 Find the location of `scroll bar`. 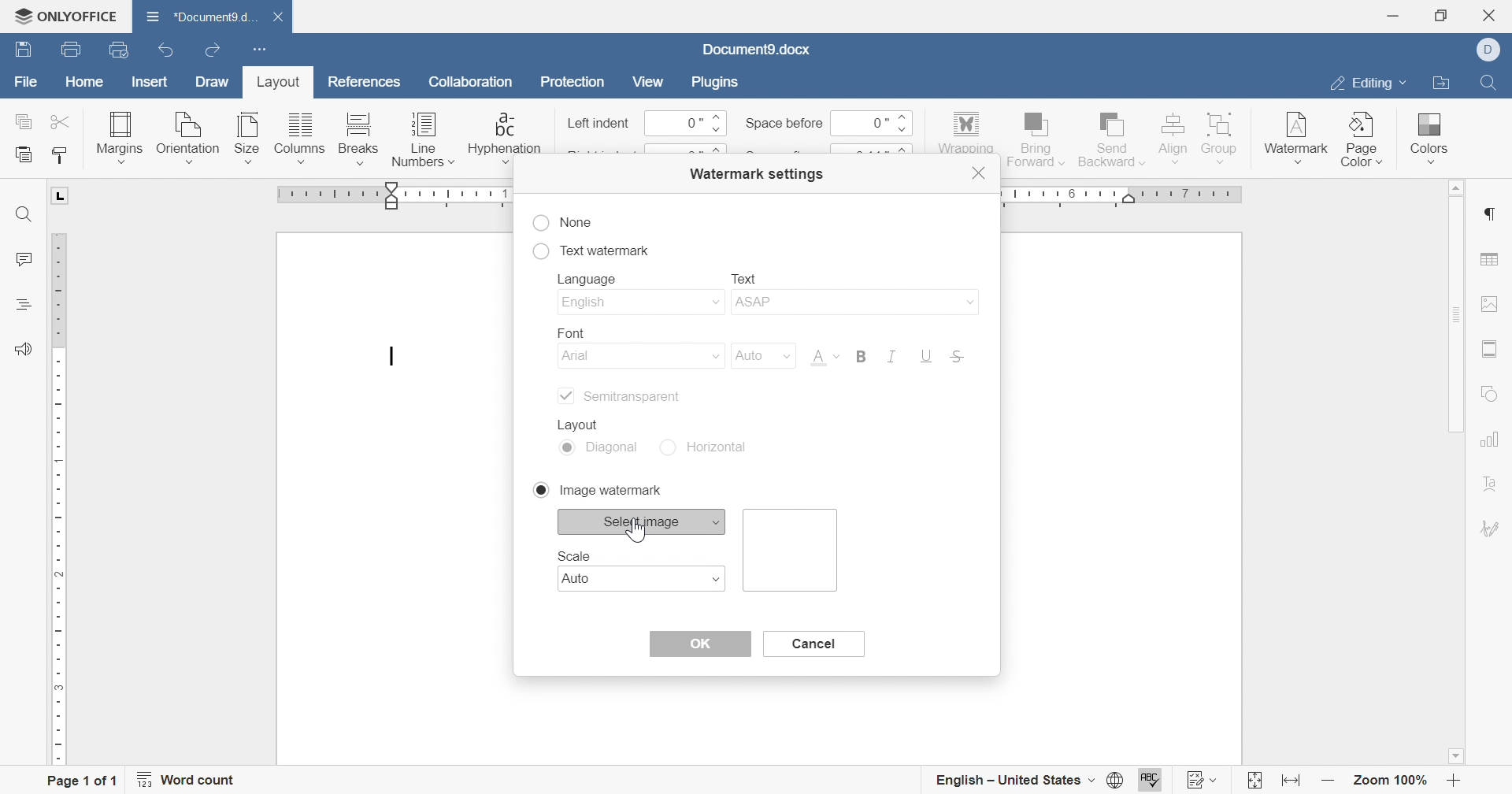

scroll bar is located at coordinates (1454, 314).